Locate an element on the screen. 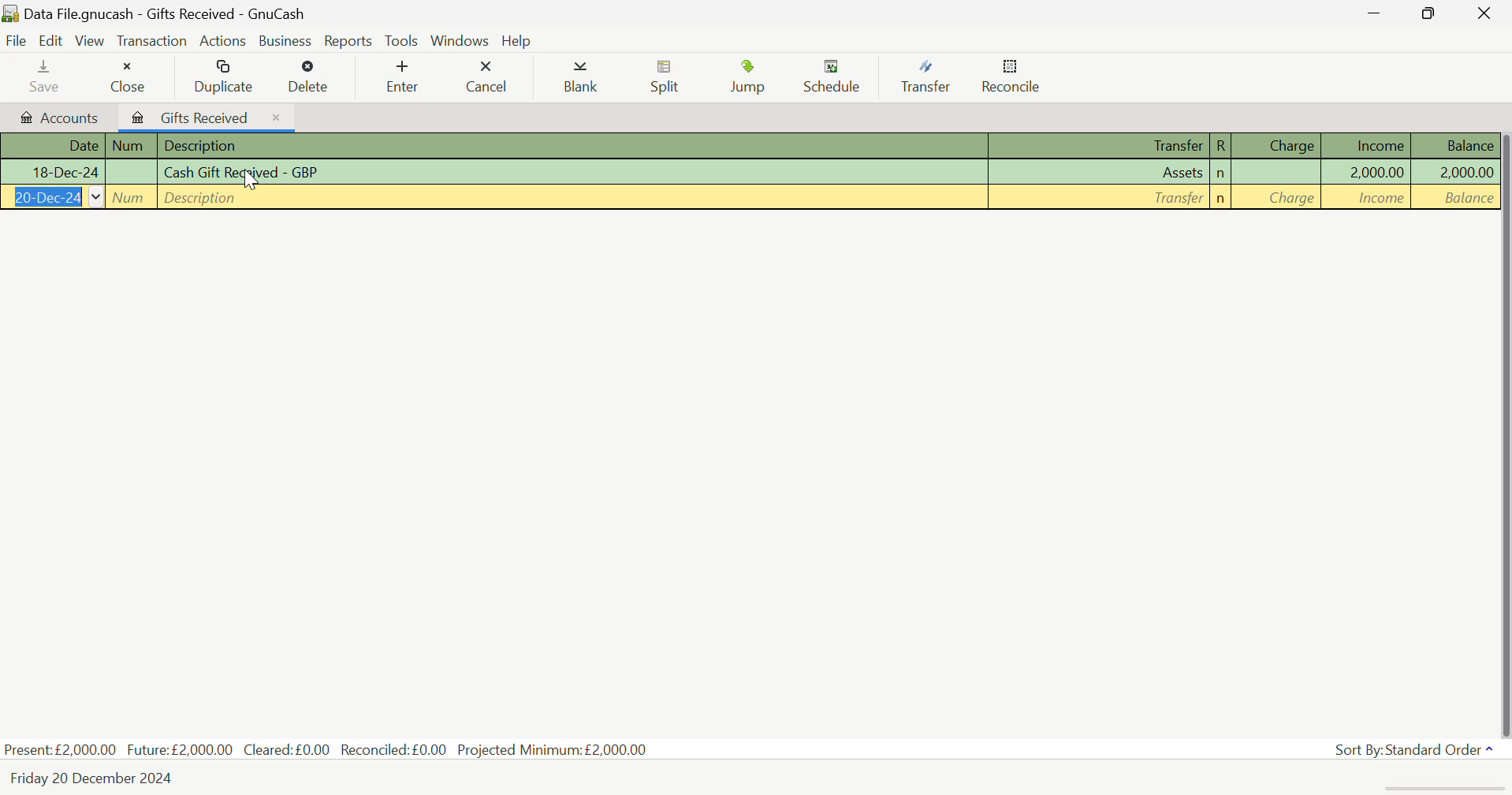 This screenshot has width=1512, height=795. Accounts Tab is located at coordinates (56, 115).